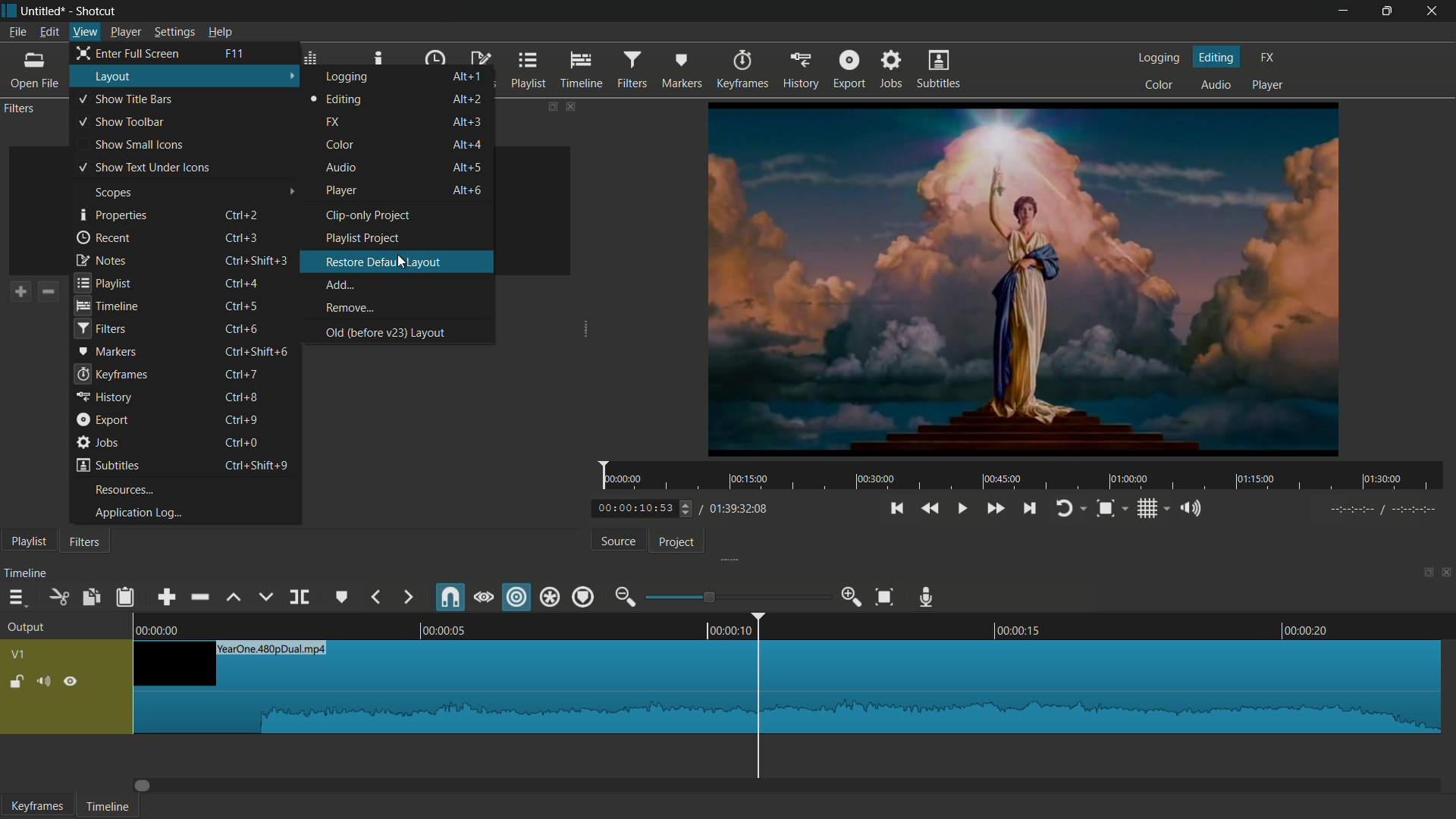  I want to click on move forward, so click(144, 786).